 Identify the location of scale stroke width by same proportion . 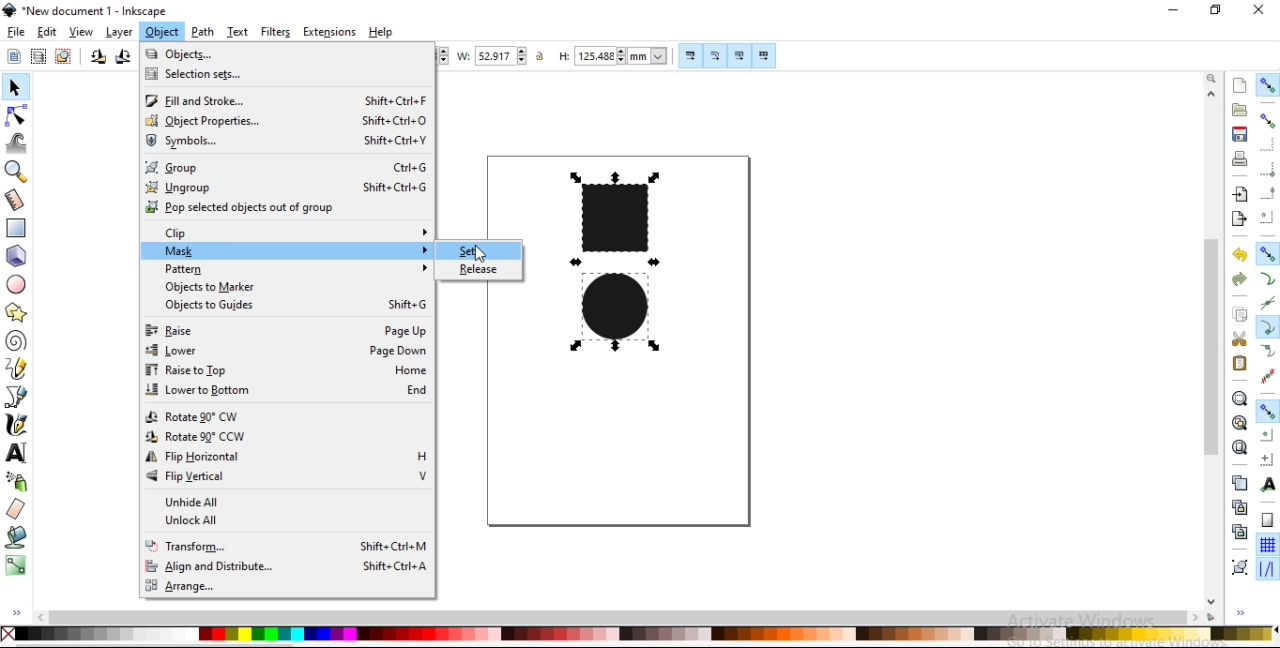
(690, 56).